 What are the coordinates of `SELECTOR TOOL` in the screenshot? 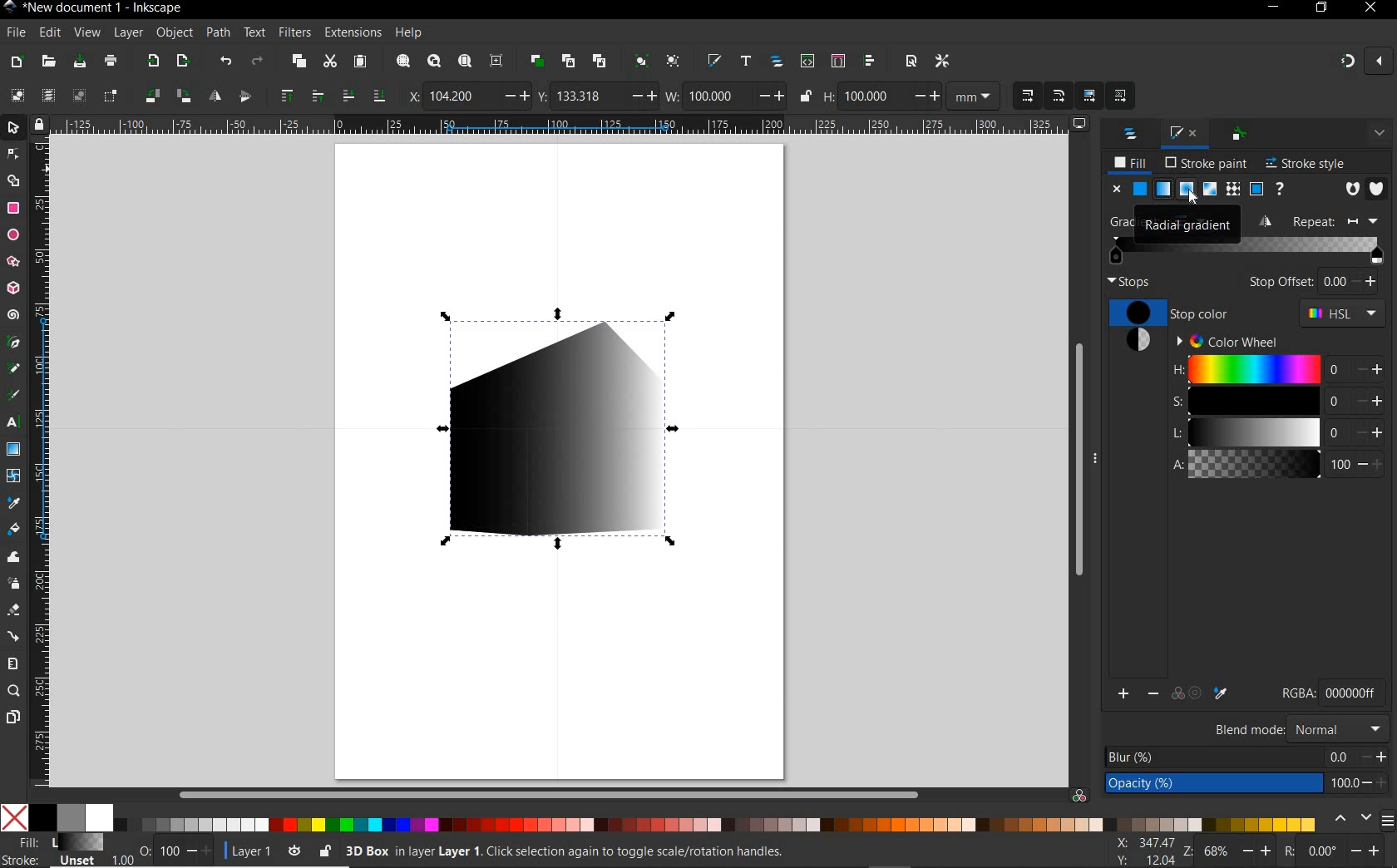 It's located at (13, 128).